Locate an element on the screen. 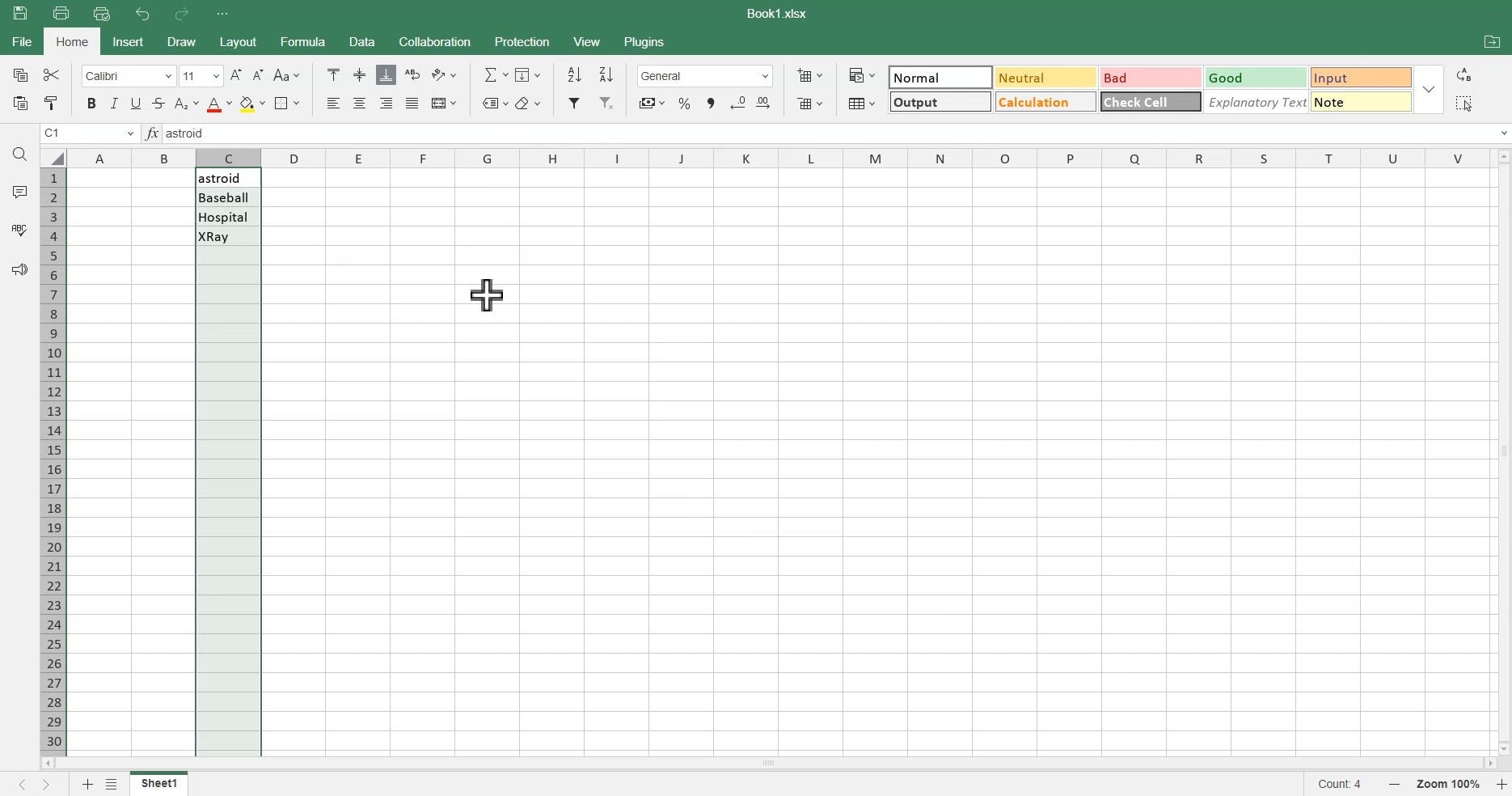 The image size is (1512, 796). Cursor is located at coordinates (487, 294).